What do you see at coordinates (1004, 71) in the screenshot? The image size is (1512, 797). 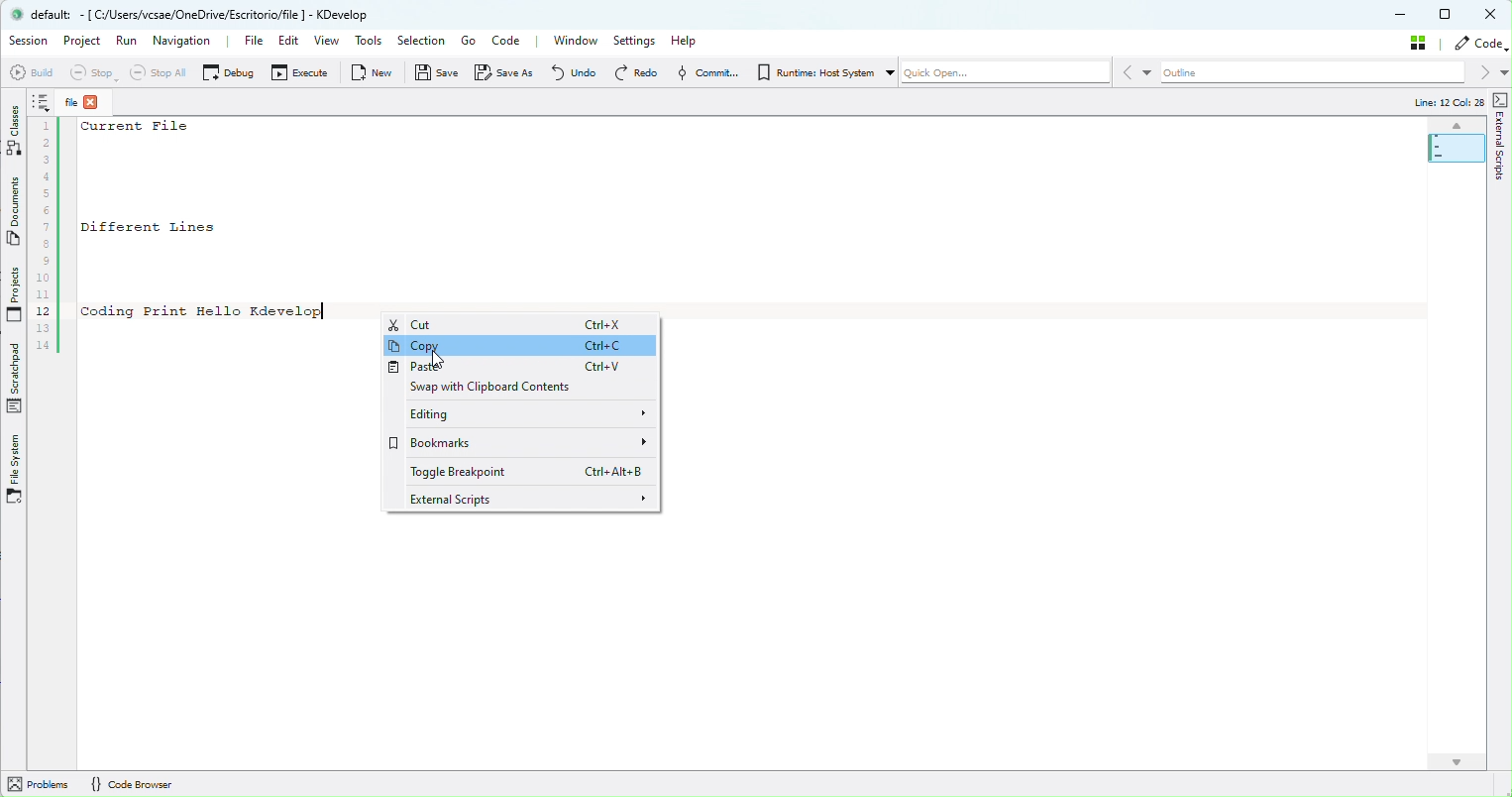 I see `Quickopen` at bounding box center [1004, 71].